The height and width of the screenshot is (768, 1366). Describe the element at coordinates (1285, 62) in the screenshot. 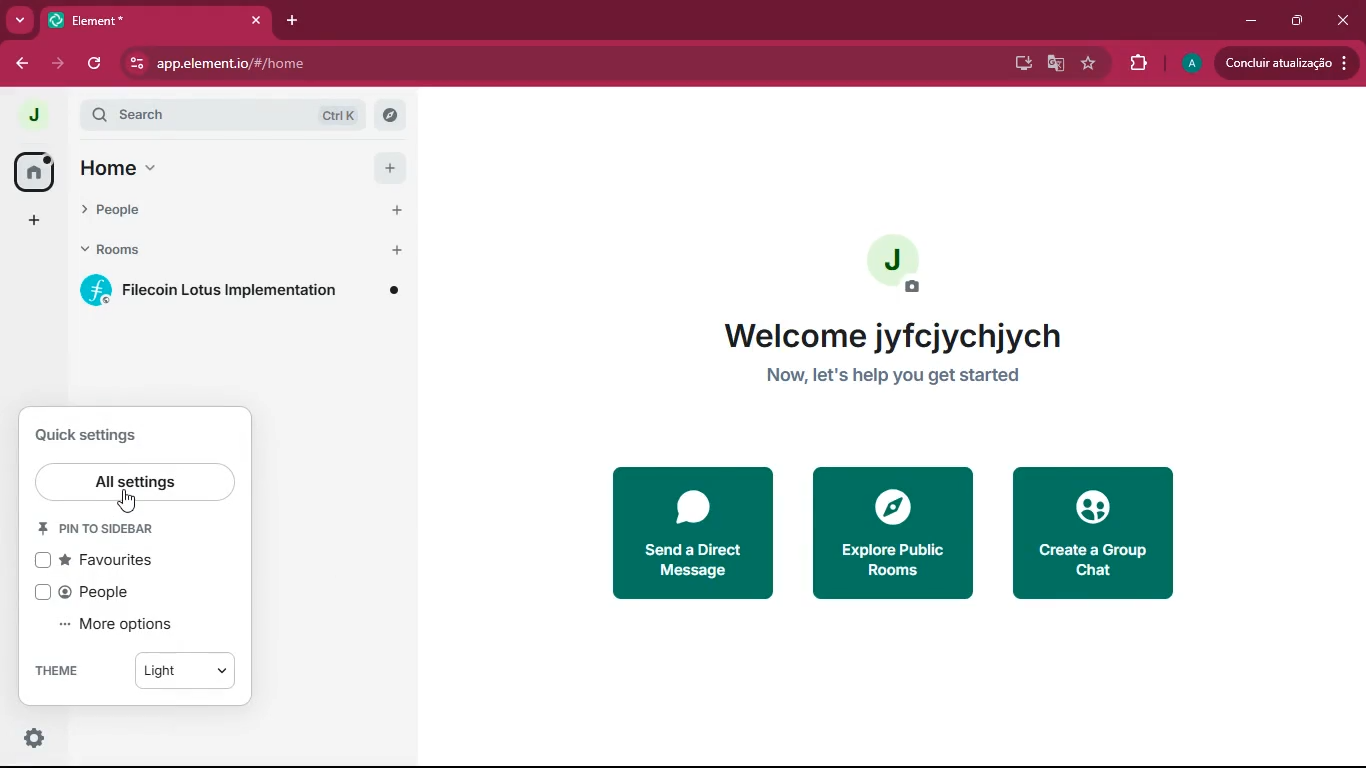

I see `update` at that location.